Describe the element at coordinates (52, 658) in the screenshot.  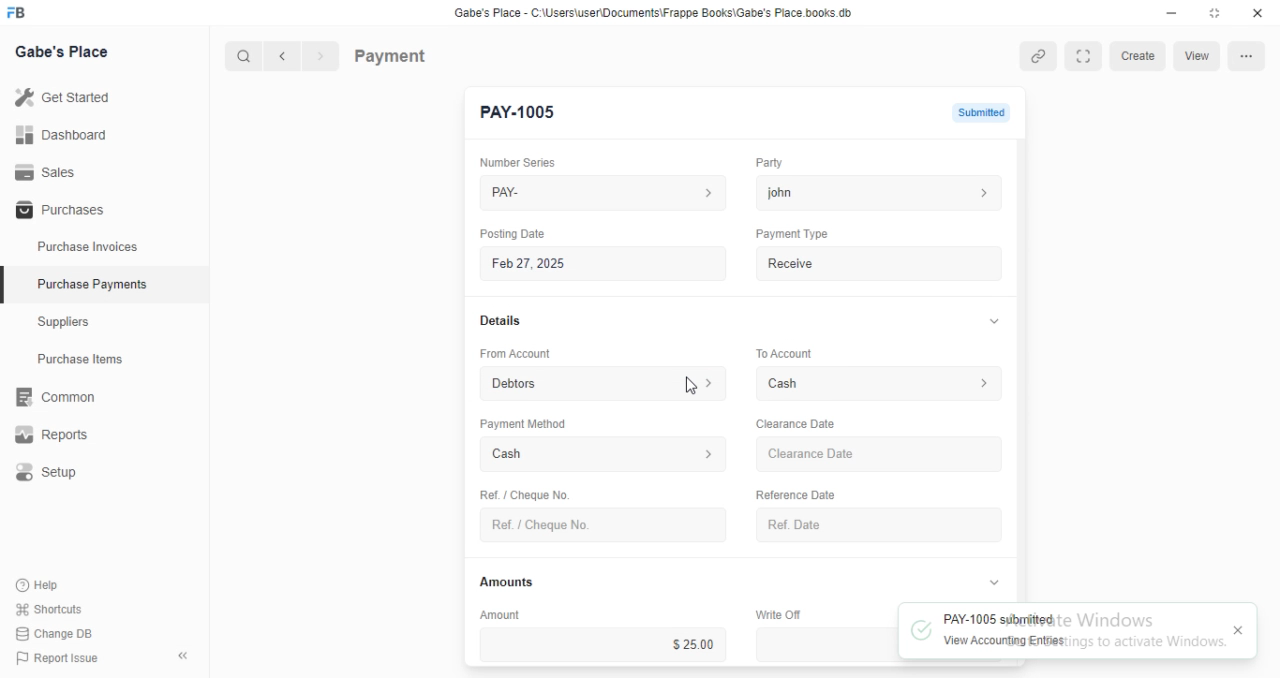
I see `Report Issue` at that location.